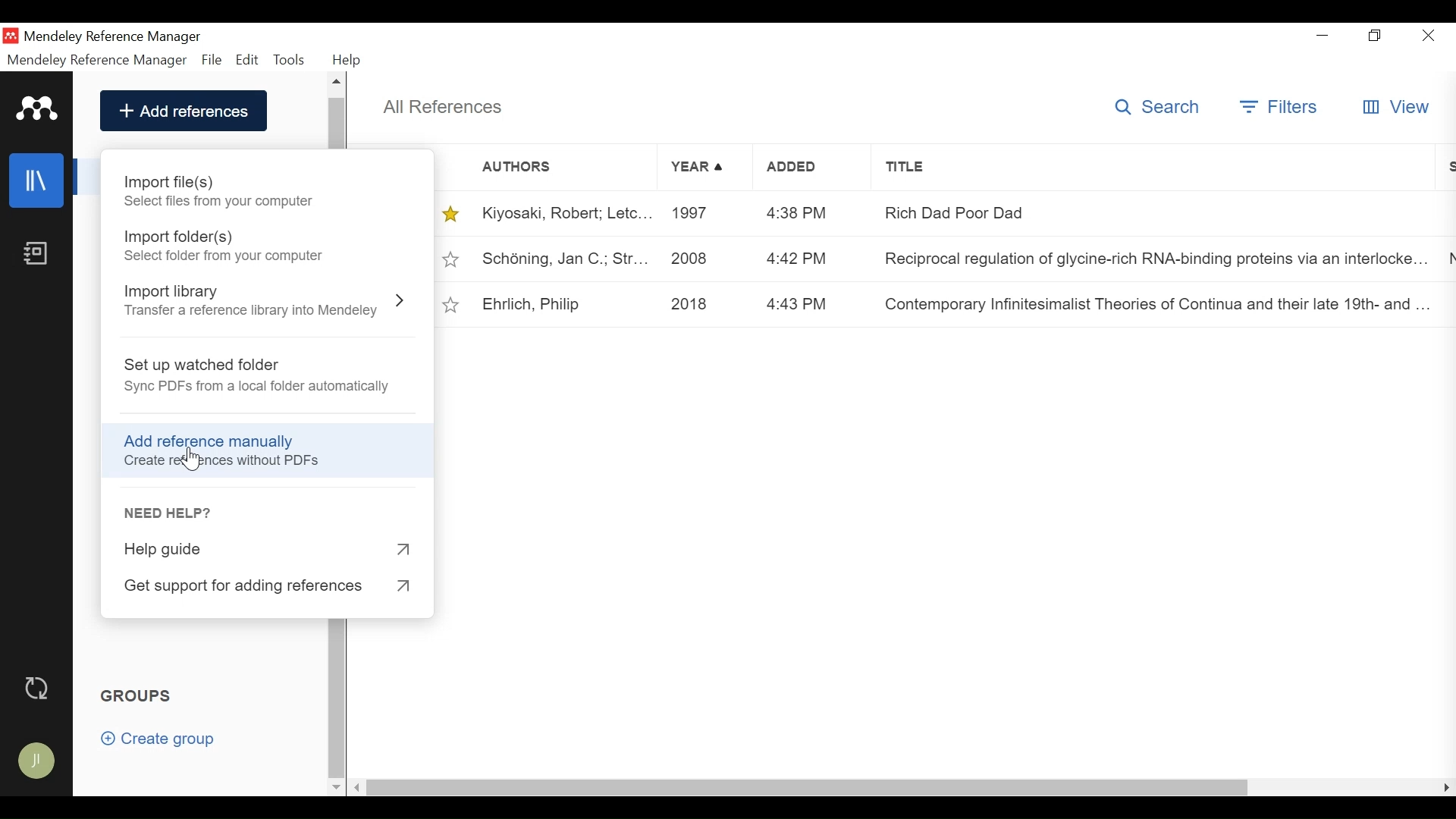 This screenshot has height=819, width=1456. I want to click on Added, so click(800, 166).